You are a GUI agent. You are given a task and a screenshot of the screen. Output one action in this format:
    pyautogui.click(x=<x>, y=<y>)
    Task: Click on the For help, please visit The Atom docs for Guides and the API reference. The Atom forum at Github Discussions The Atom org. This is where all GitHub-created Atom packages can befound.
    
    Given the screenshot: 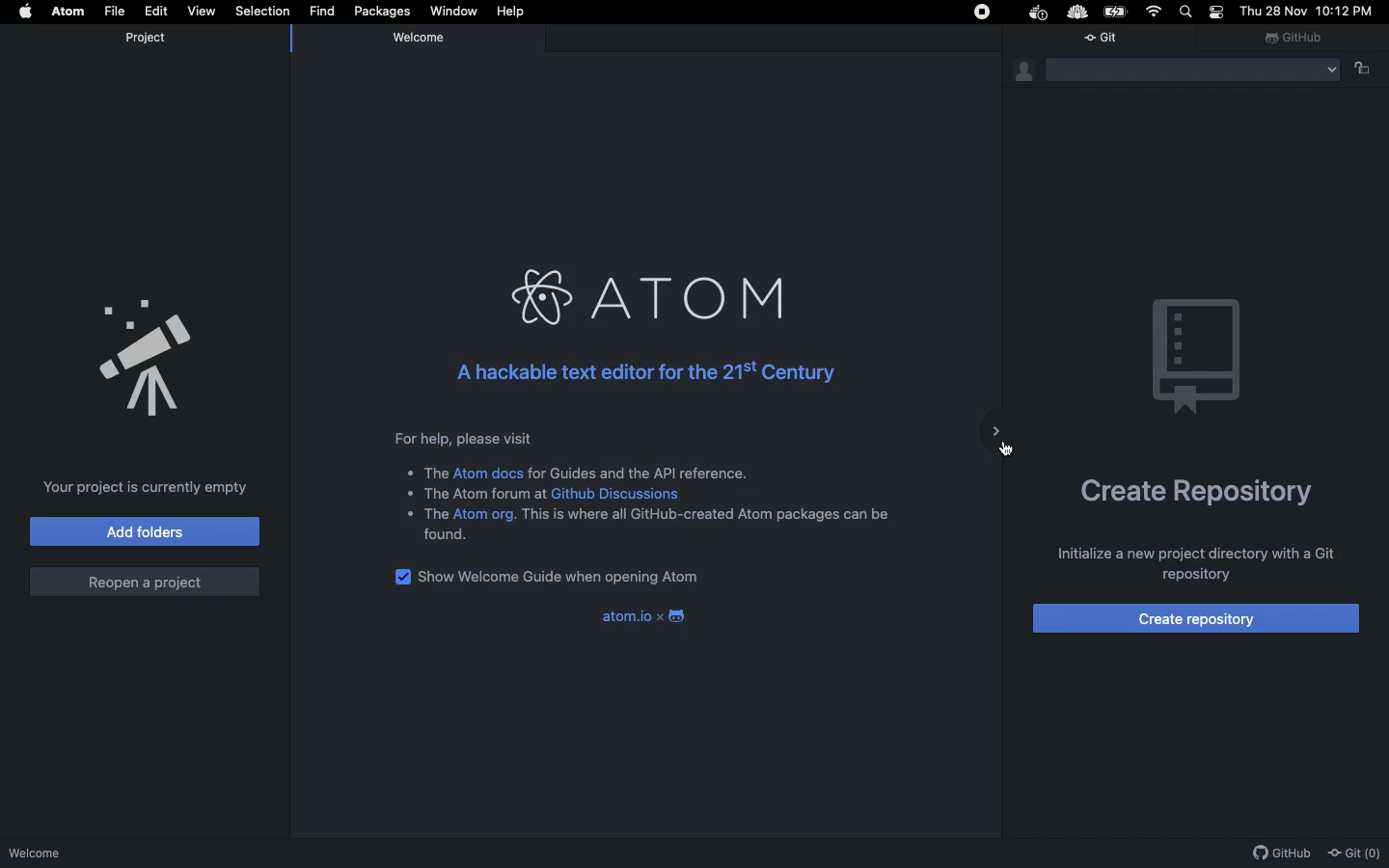 What is the action you would take?
    pyautogui.click(x=648, y=486)
    